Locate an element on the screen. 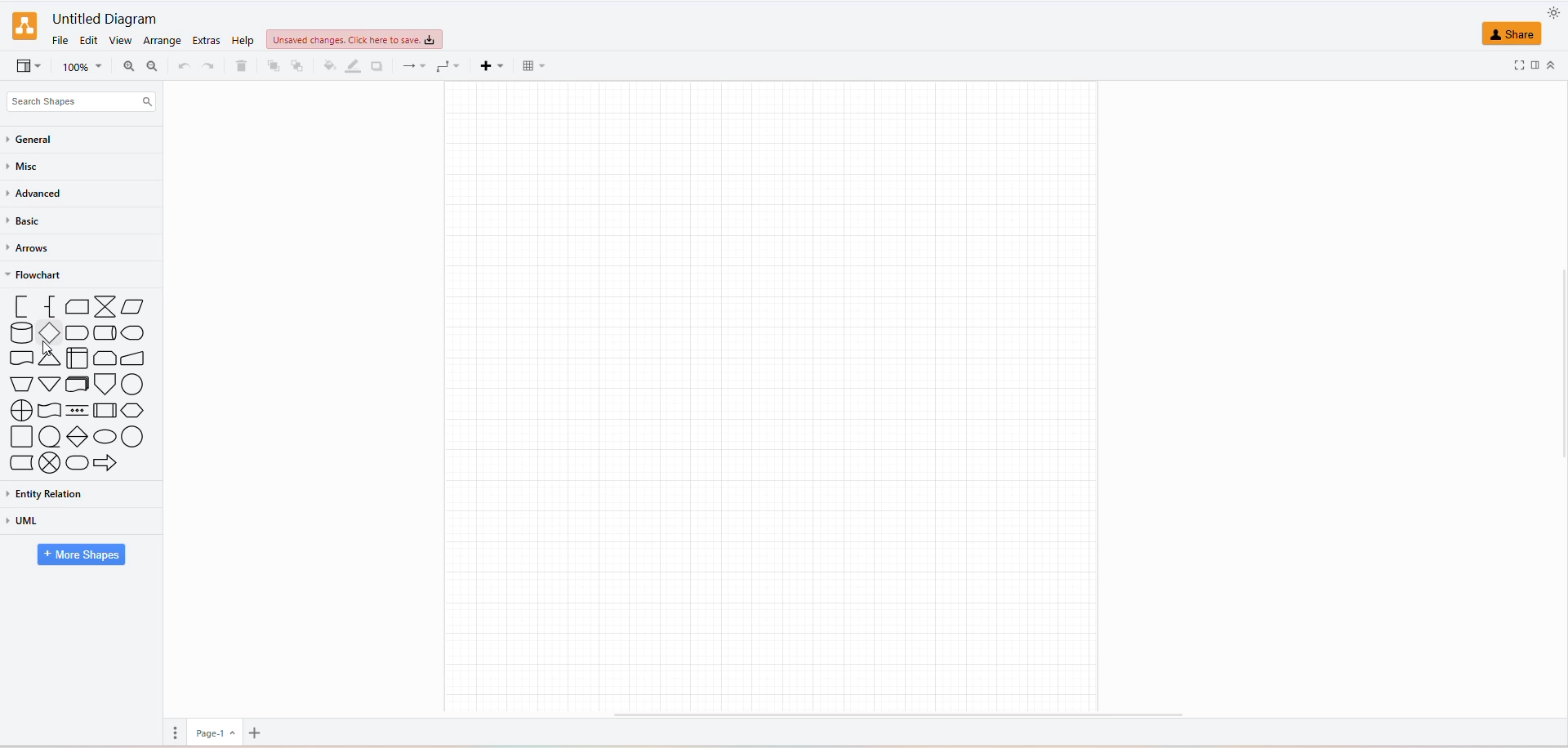  LOGO is located at coordinates (24, 23).